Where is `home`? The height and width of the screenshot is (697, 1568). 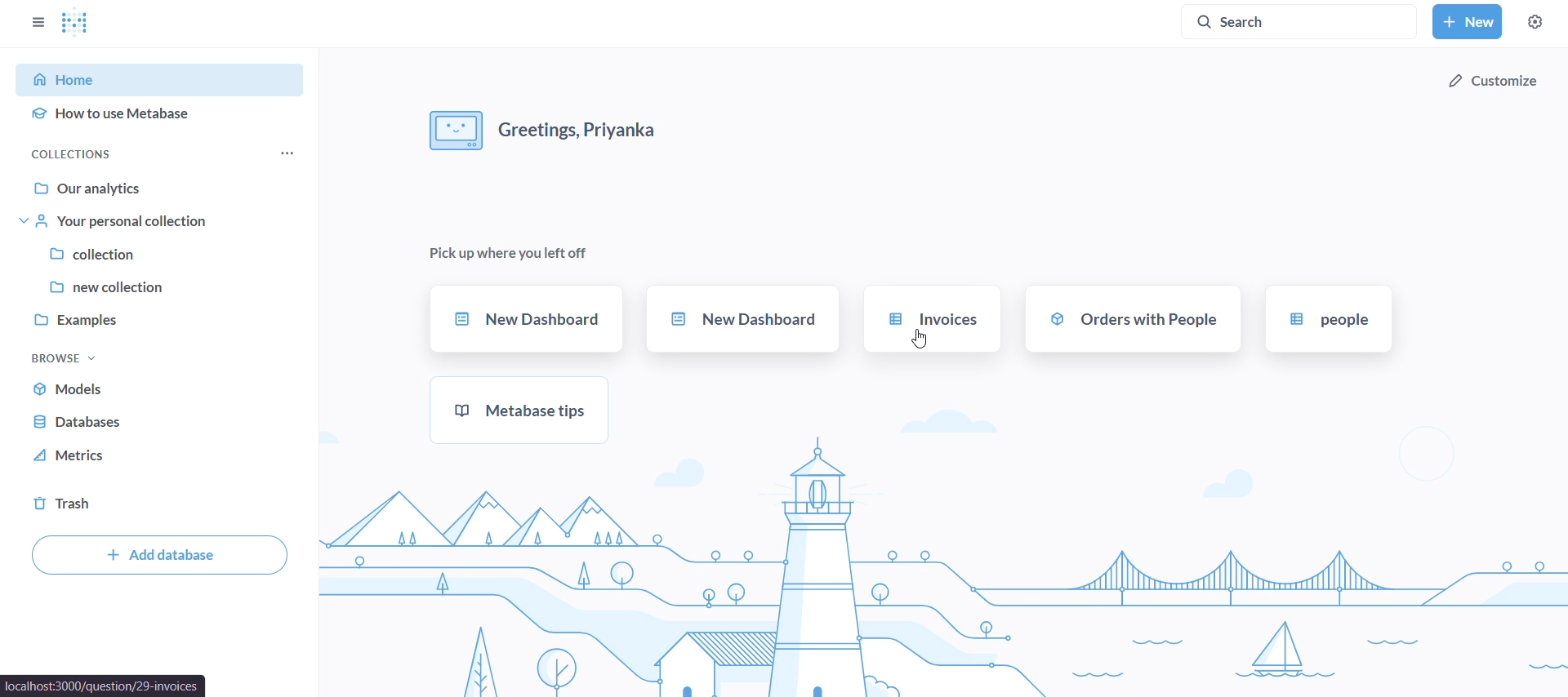 home is located at coordinates (163, 80).